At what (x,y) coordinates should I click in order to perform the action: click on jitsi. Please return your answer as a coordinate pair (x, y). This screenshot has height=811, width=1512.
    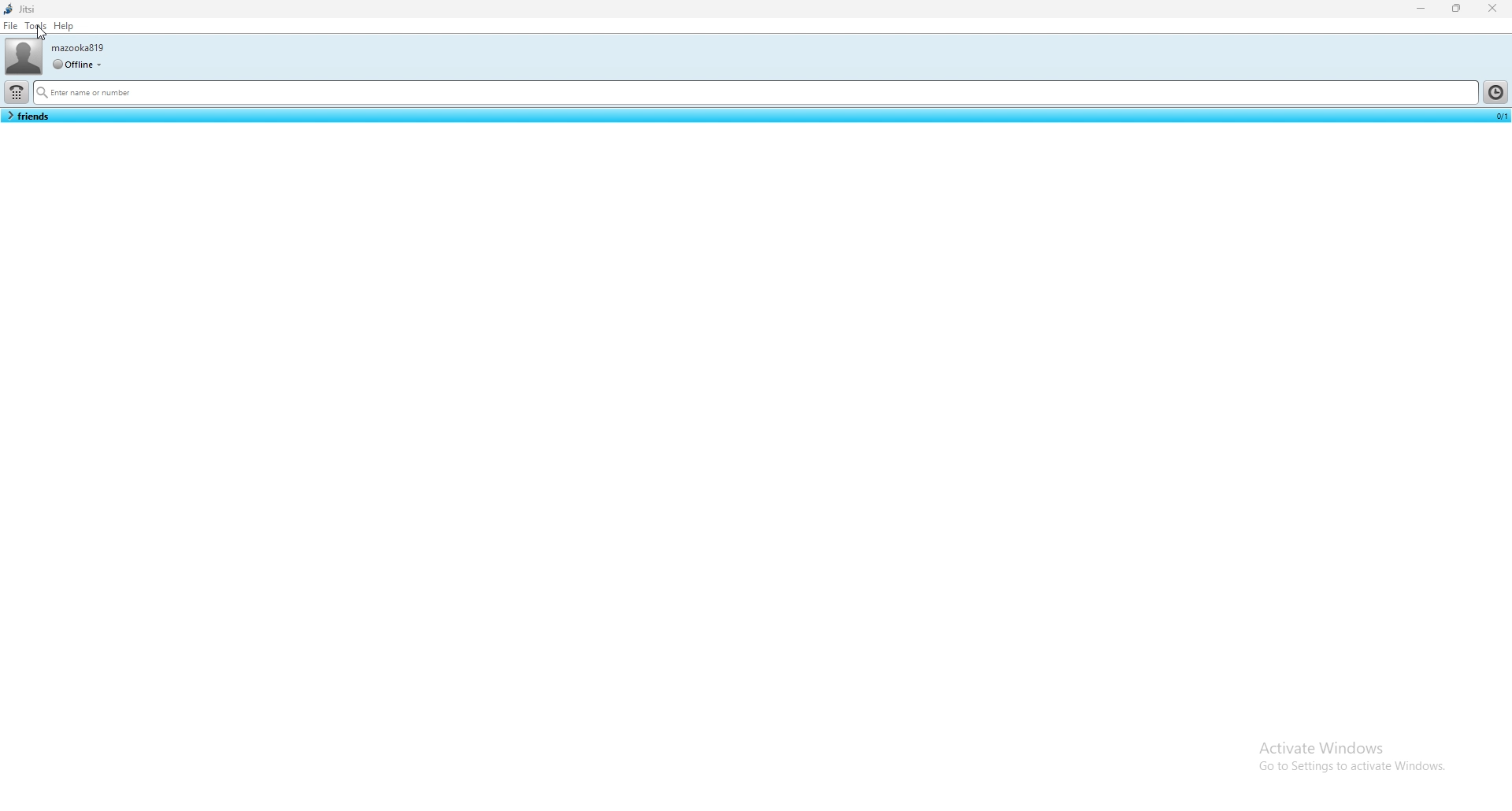
    Looking at the image, I should click on (23, 9).